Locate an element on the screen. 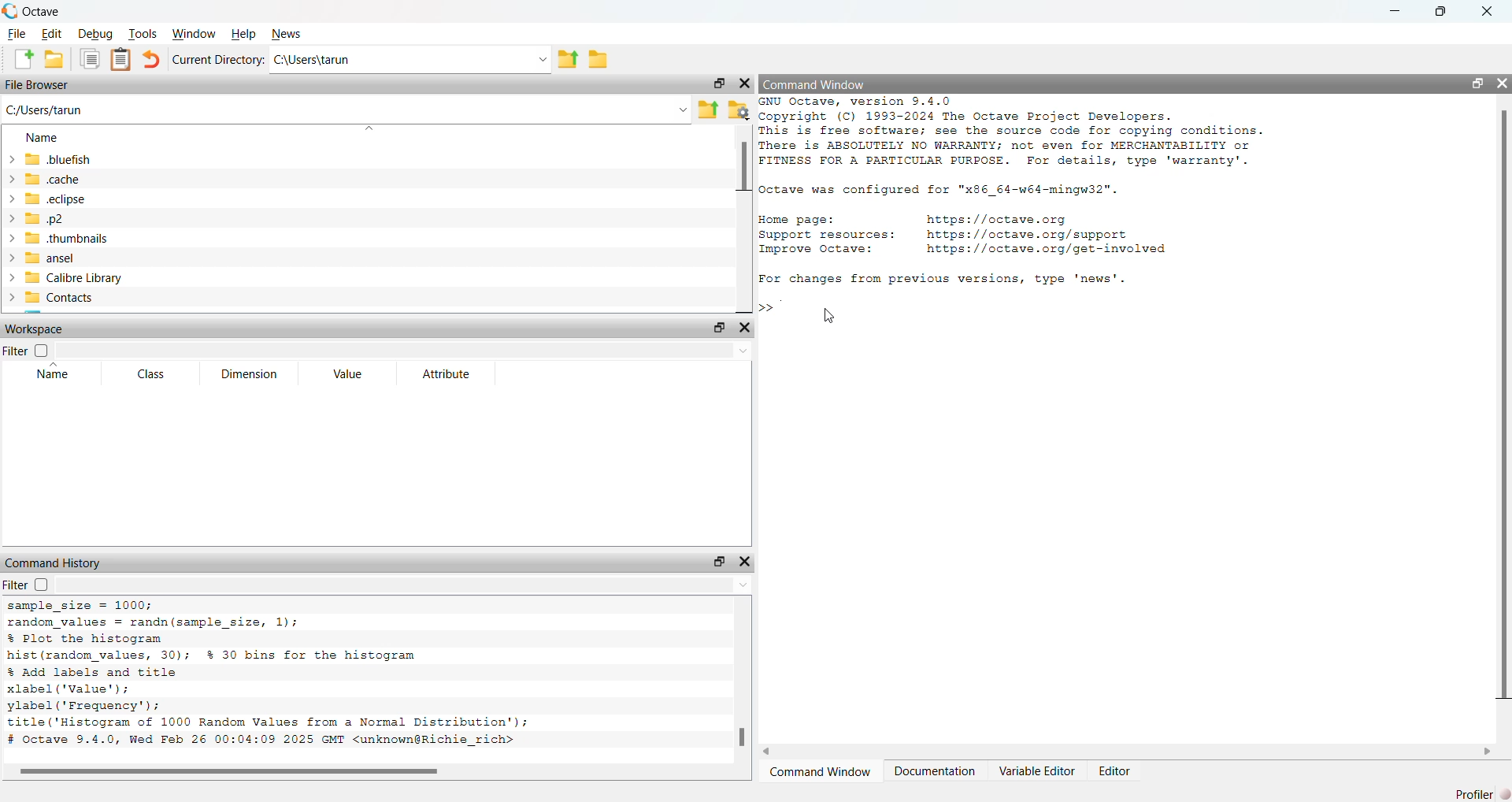 This screenshot has height=802, width=1512. Current Directory: is located at coordinates (220, 59).